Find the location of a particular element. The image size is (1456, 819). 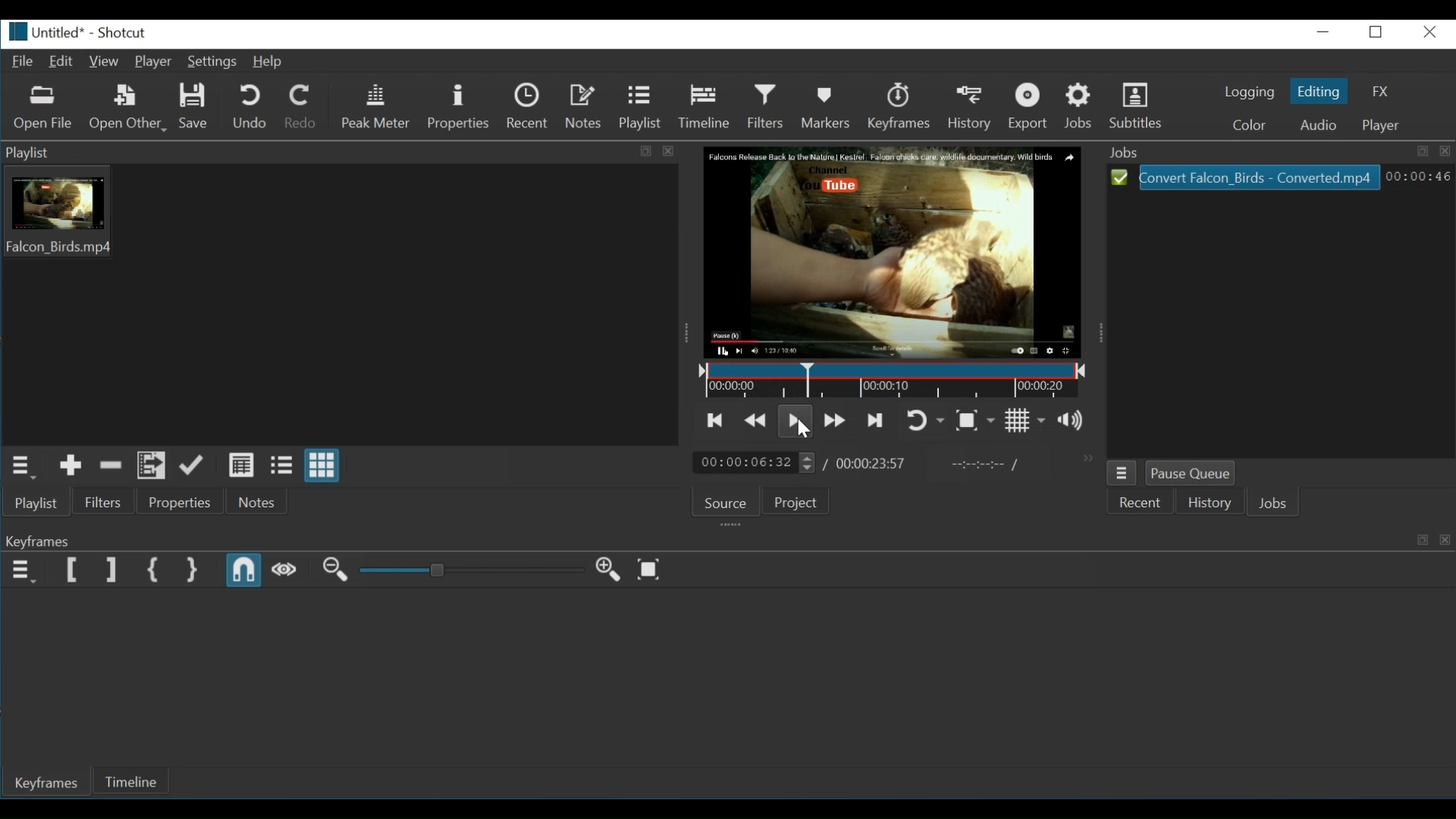

Edit is located at coordinates (61, 61).